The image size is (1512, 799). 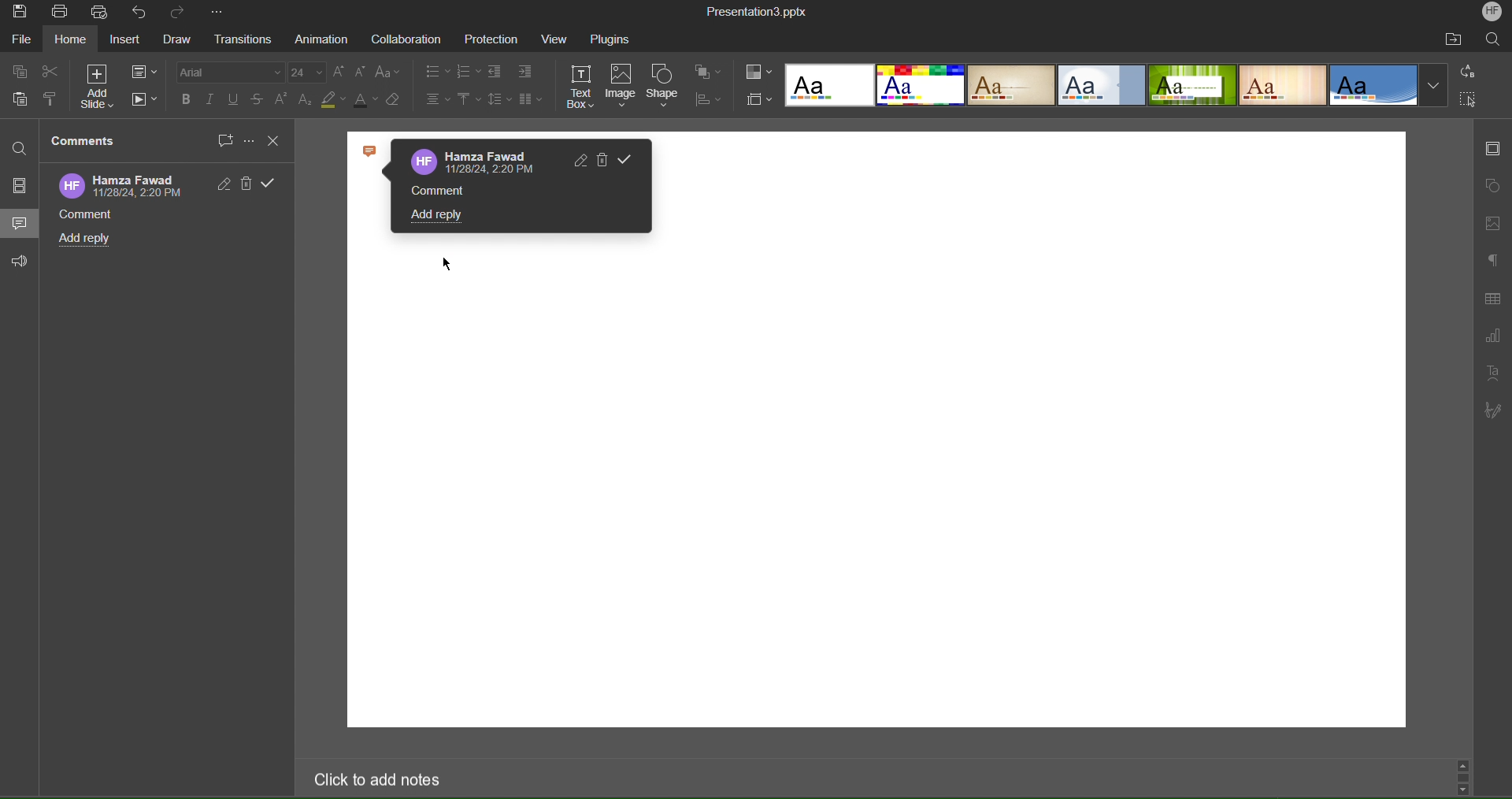 What do you see at coordinates (306, 100) in the screenshot?
I see `Subscript` at bounding box center [306, 100].